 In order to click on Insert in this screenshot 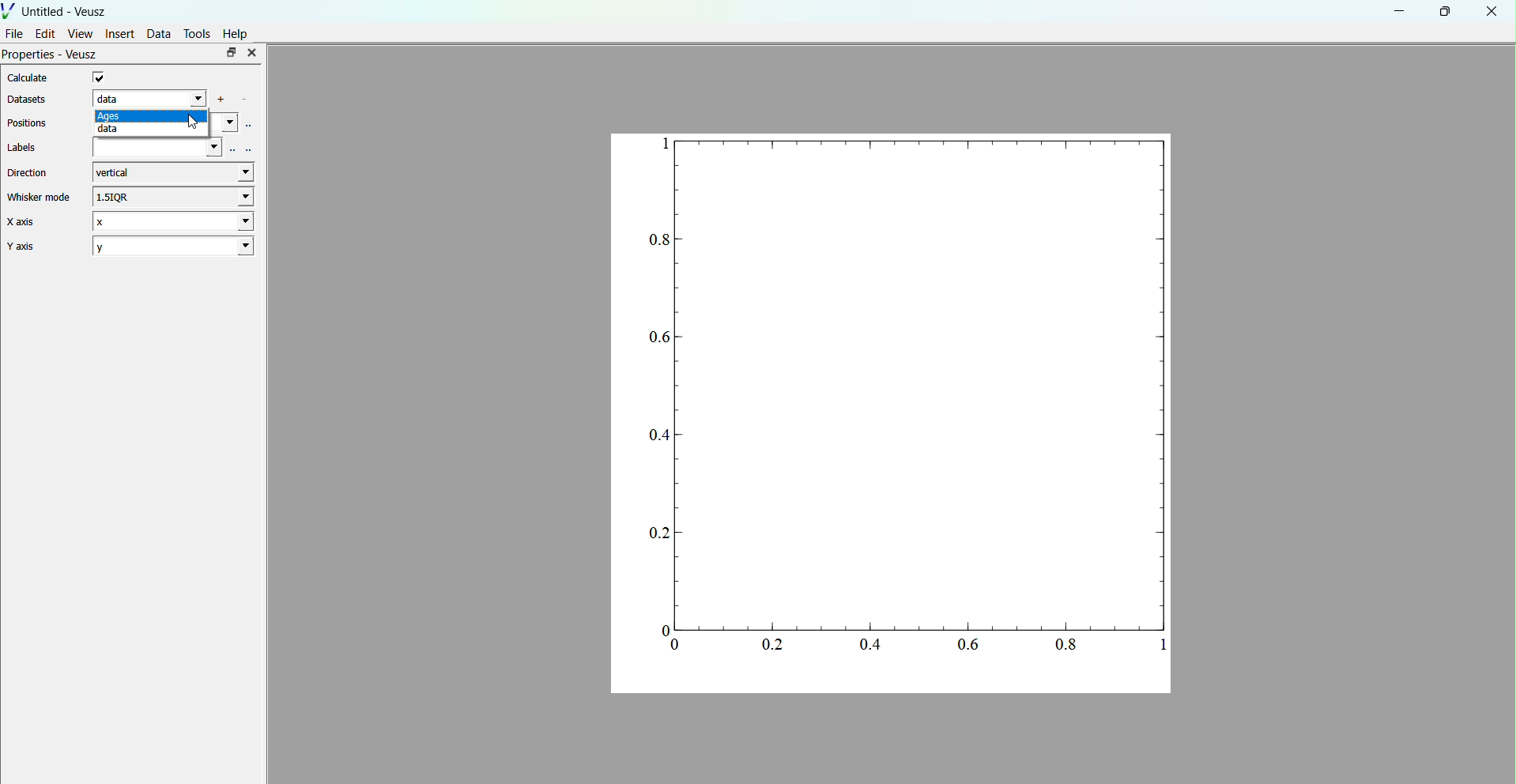, I will do `click(120, 33)`.